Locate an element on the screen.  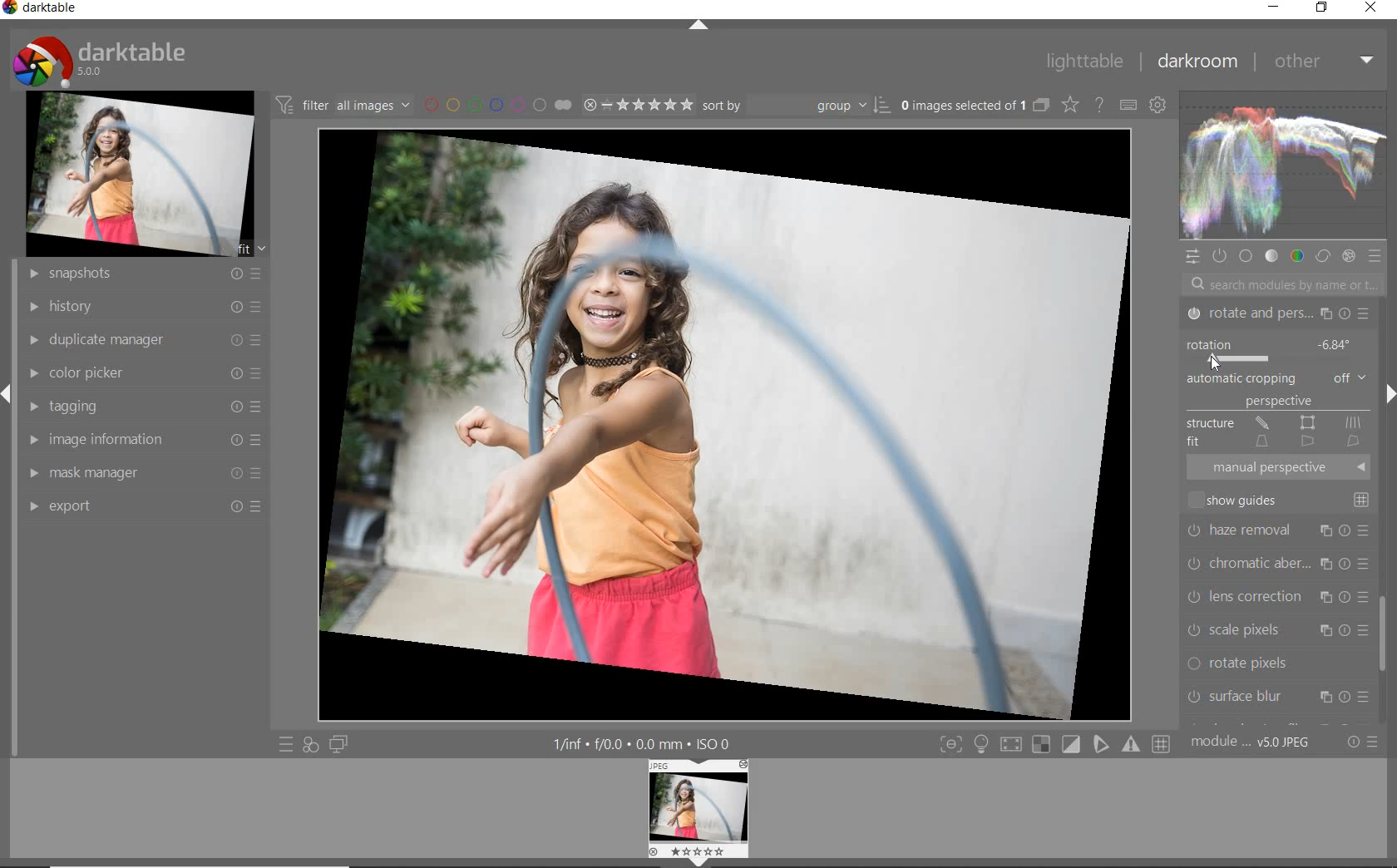
snapshots is located at coordinates (141, 275).